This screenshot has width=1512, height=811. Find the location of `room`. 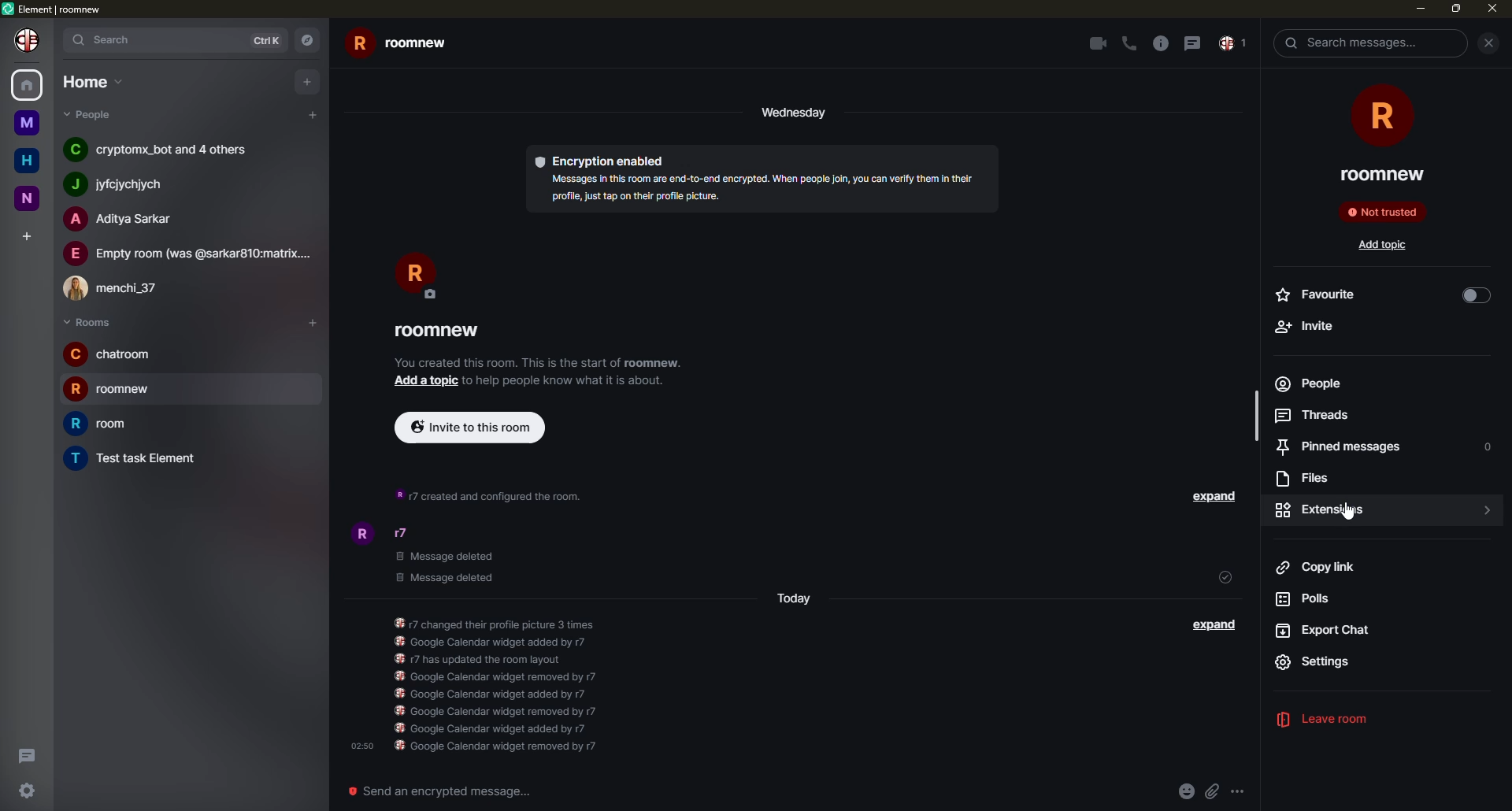

room is located at coordinates (30, 198).